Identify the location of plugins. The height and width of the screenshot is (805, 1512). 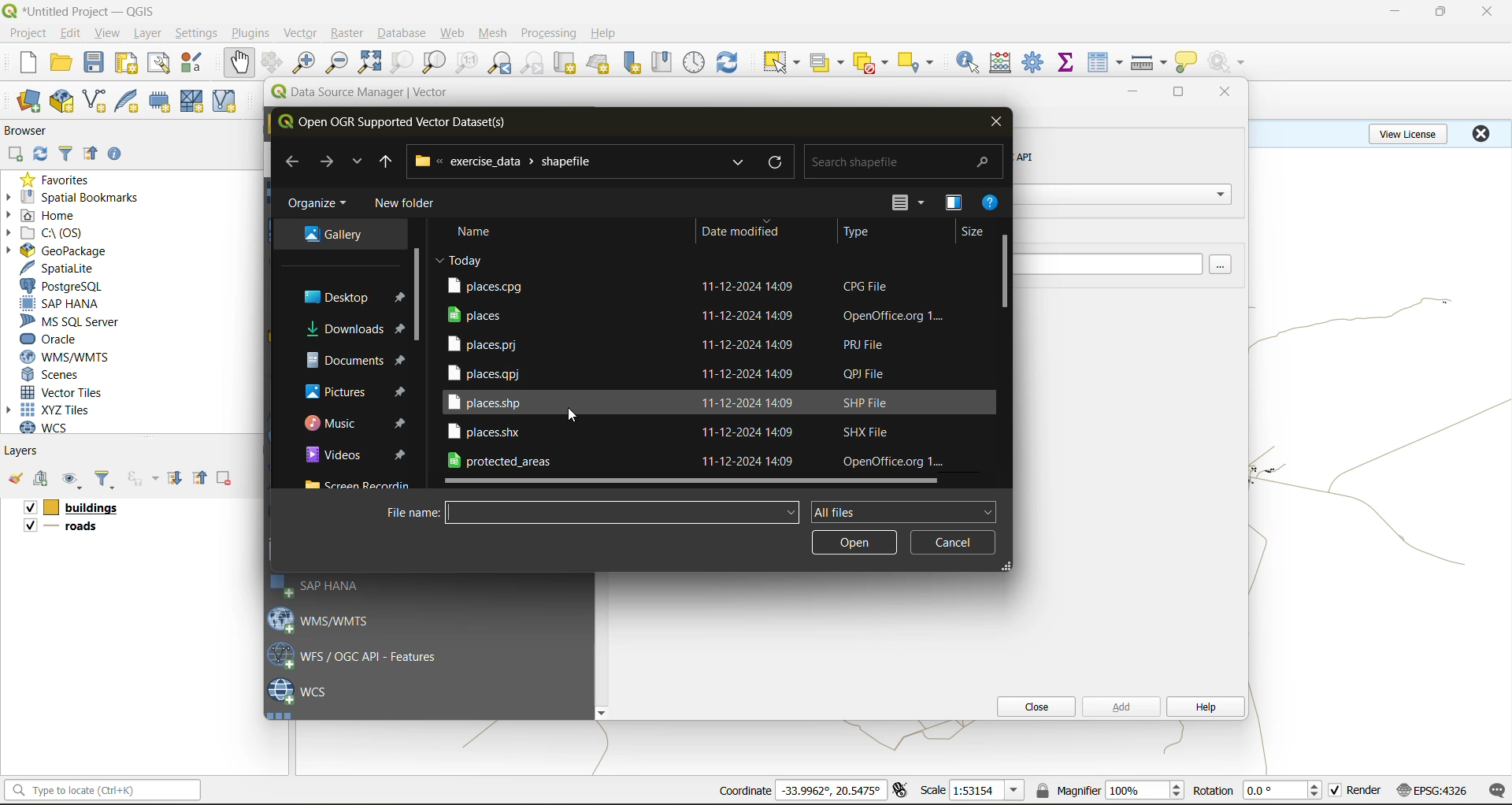
(254, 32).